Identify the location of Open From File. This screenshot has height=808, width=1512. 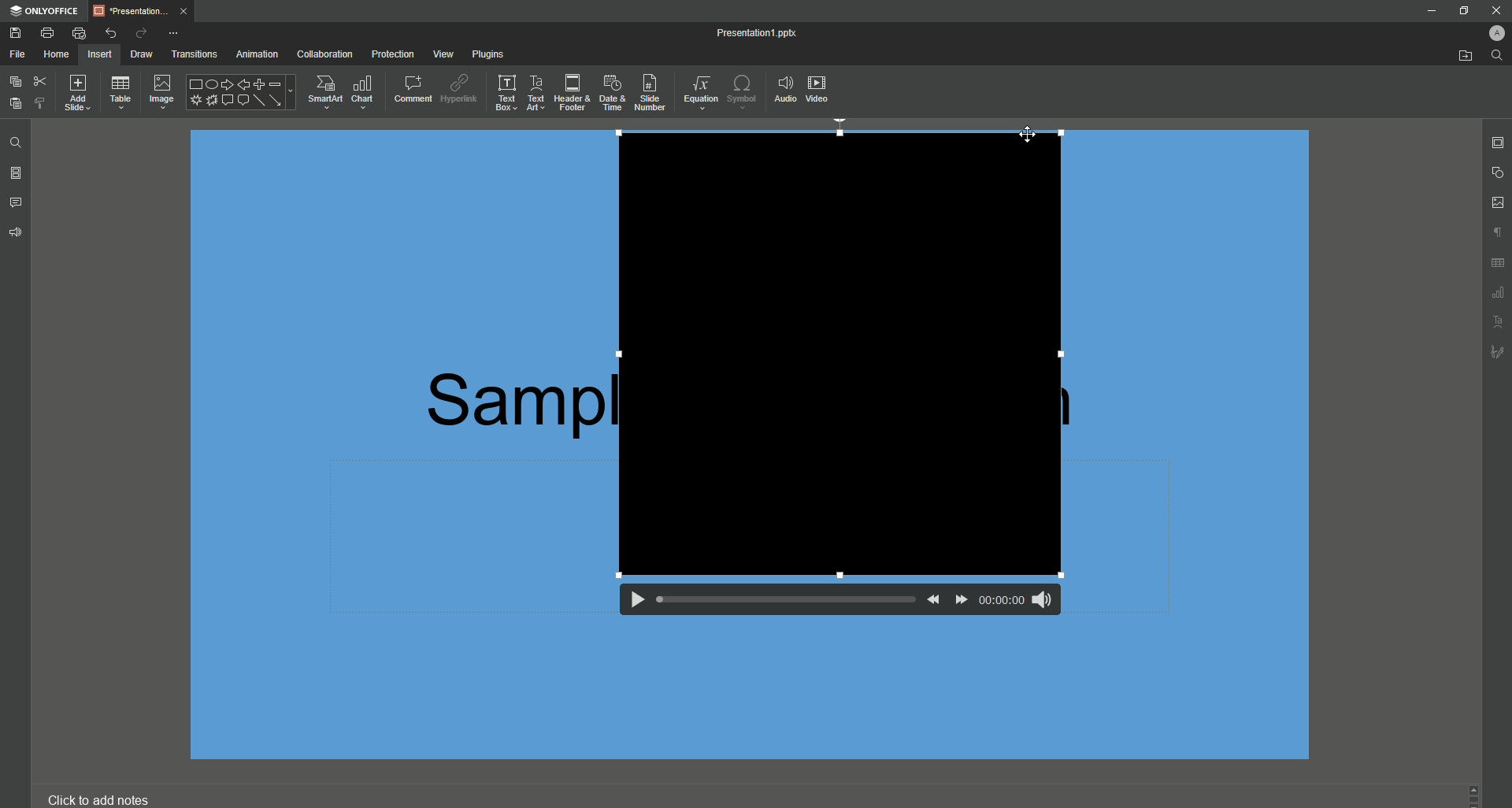
(1462, 55).